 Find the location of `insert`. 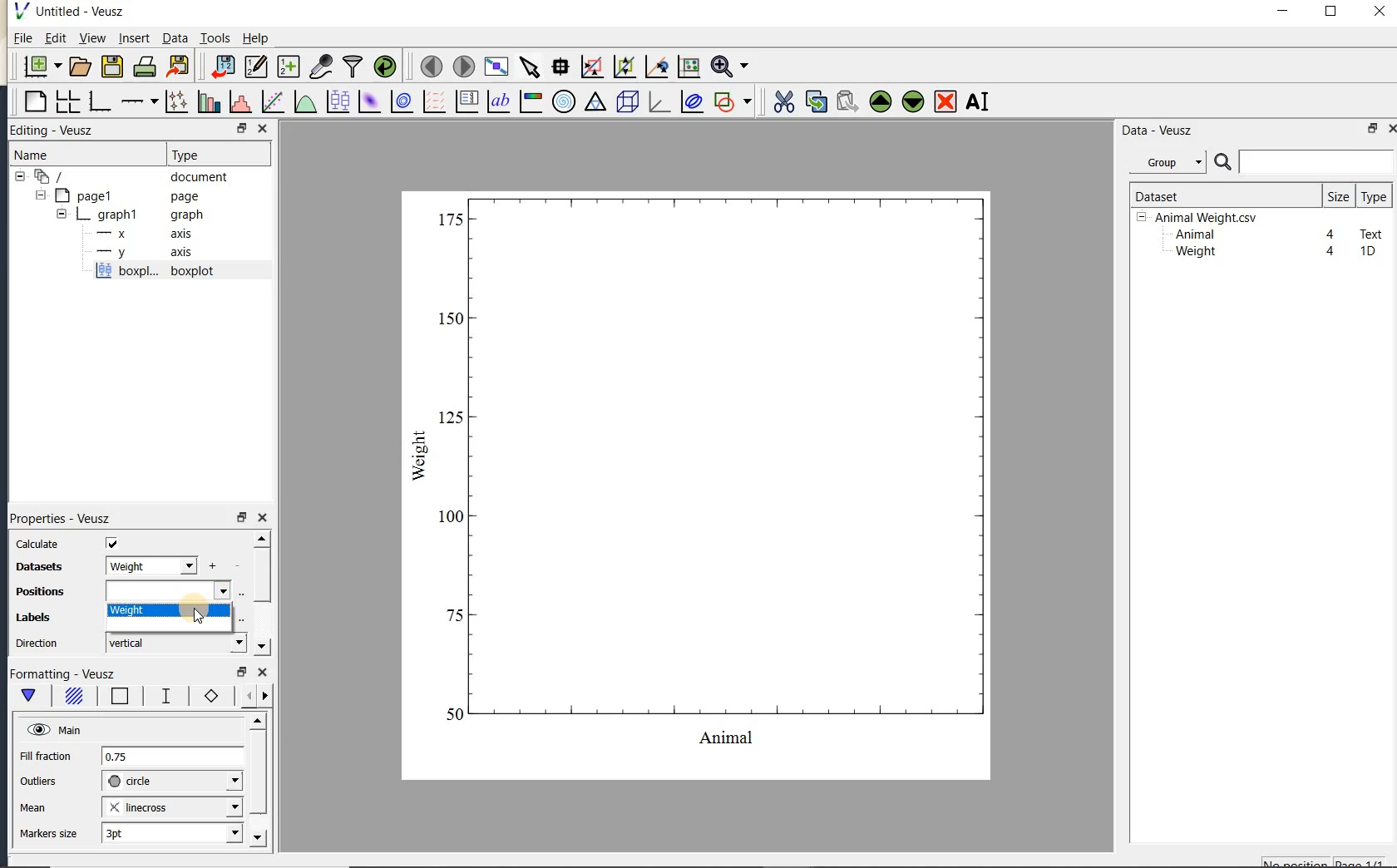

insert is located at coordinates (134, 37).